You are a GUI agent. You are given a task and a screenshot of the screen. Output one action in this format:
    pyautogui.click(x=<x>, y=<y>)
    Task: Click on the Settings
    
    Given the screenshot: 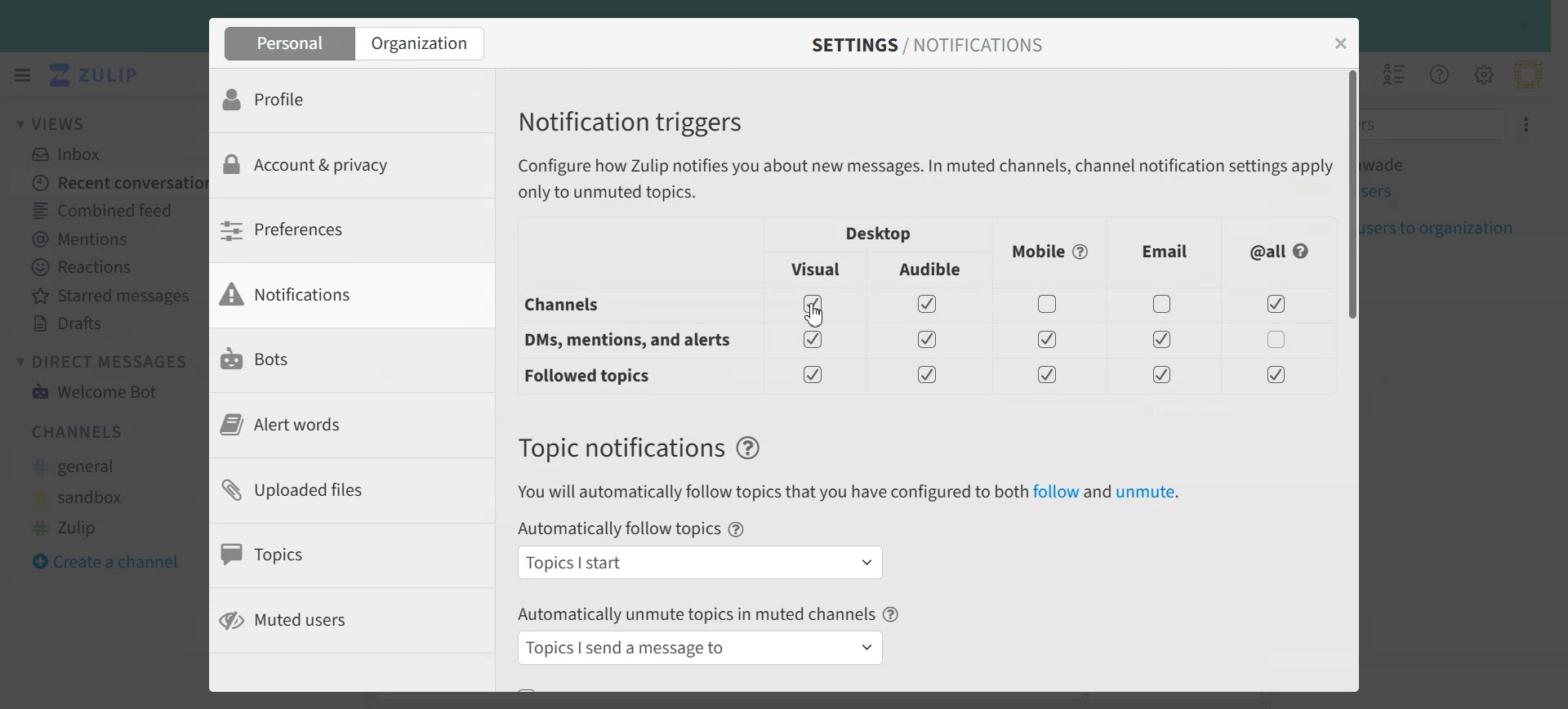 What is the action you would take?
    pyautogui.click(x=1528, y=123)
    